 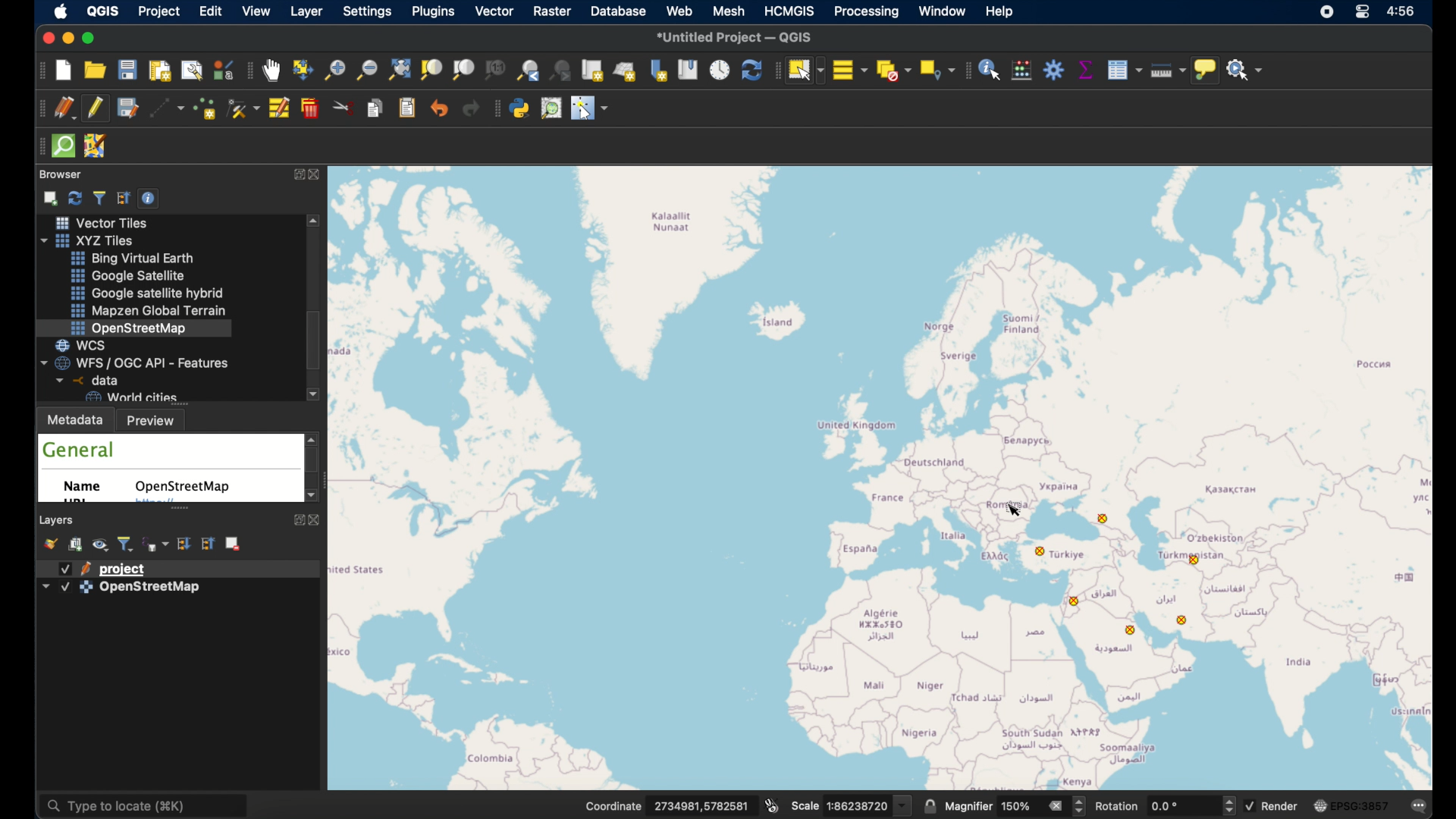 I want to click on vertex tool, so click(x=243, y=108).